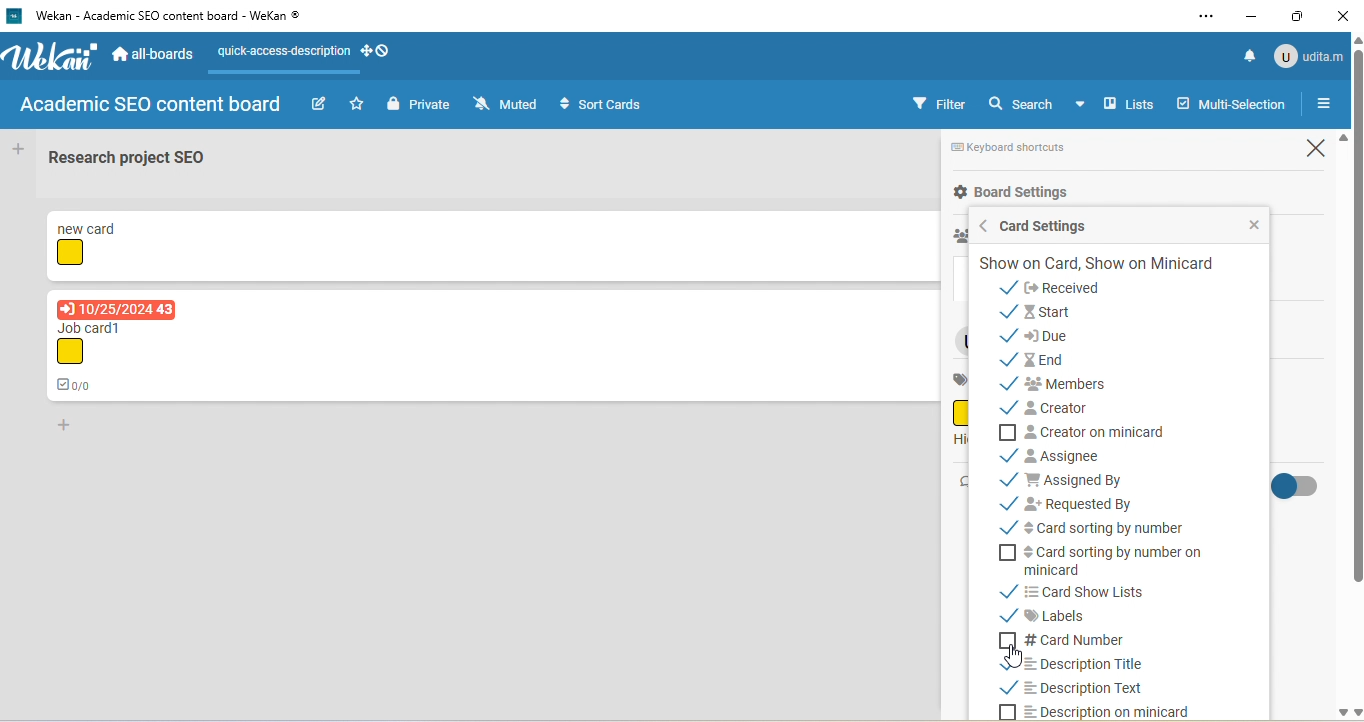 The width and height of the screenshot is (1364, 722). I want to click on toggle on/off, so click(1306, 489).